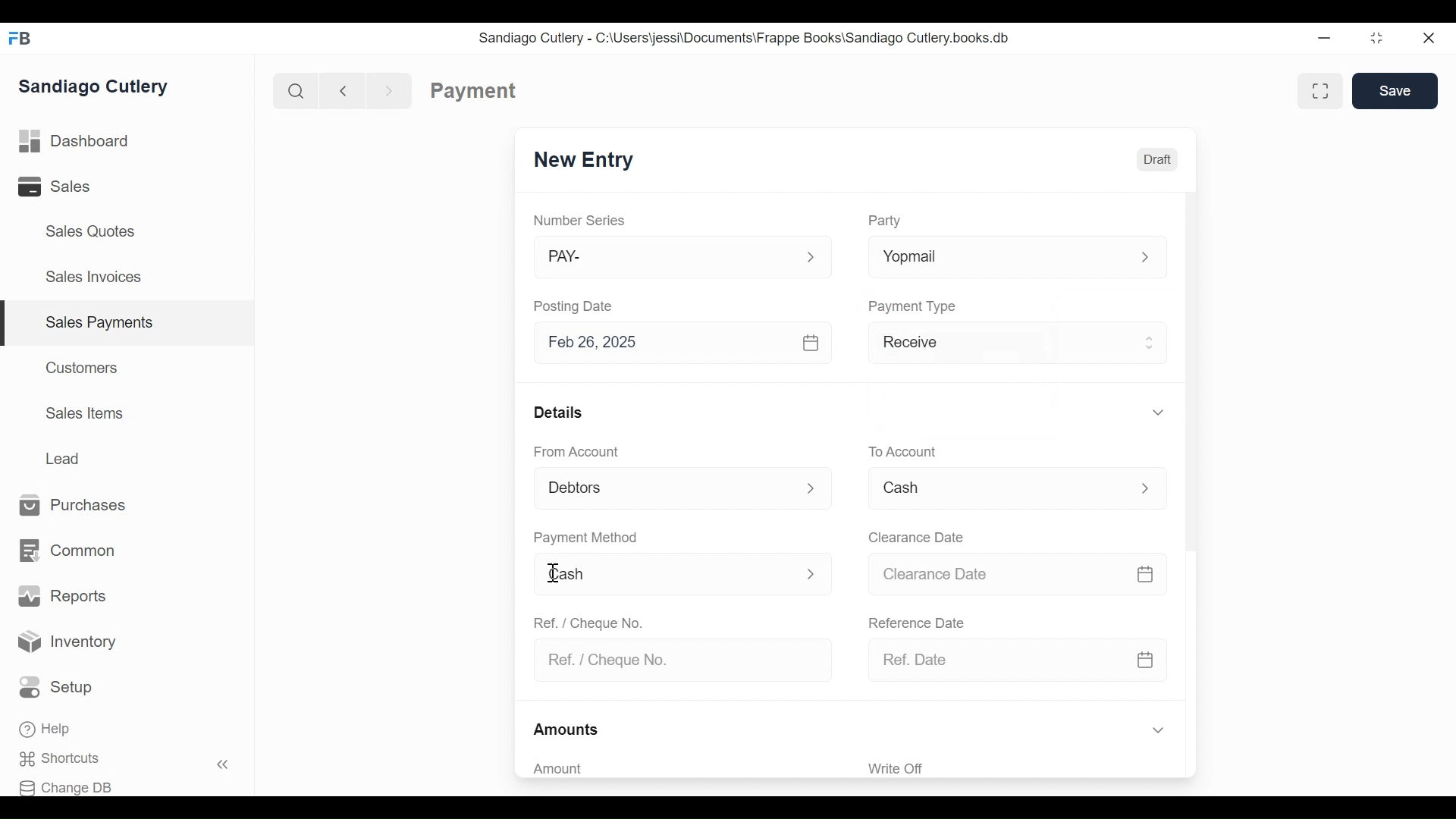 This screenshot has height=819, width=1456. What do you see at coordinates (85, 413) in the screenshot?
I see `Sales Items` at bounding box center [85, 413].